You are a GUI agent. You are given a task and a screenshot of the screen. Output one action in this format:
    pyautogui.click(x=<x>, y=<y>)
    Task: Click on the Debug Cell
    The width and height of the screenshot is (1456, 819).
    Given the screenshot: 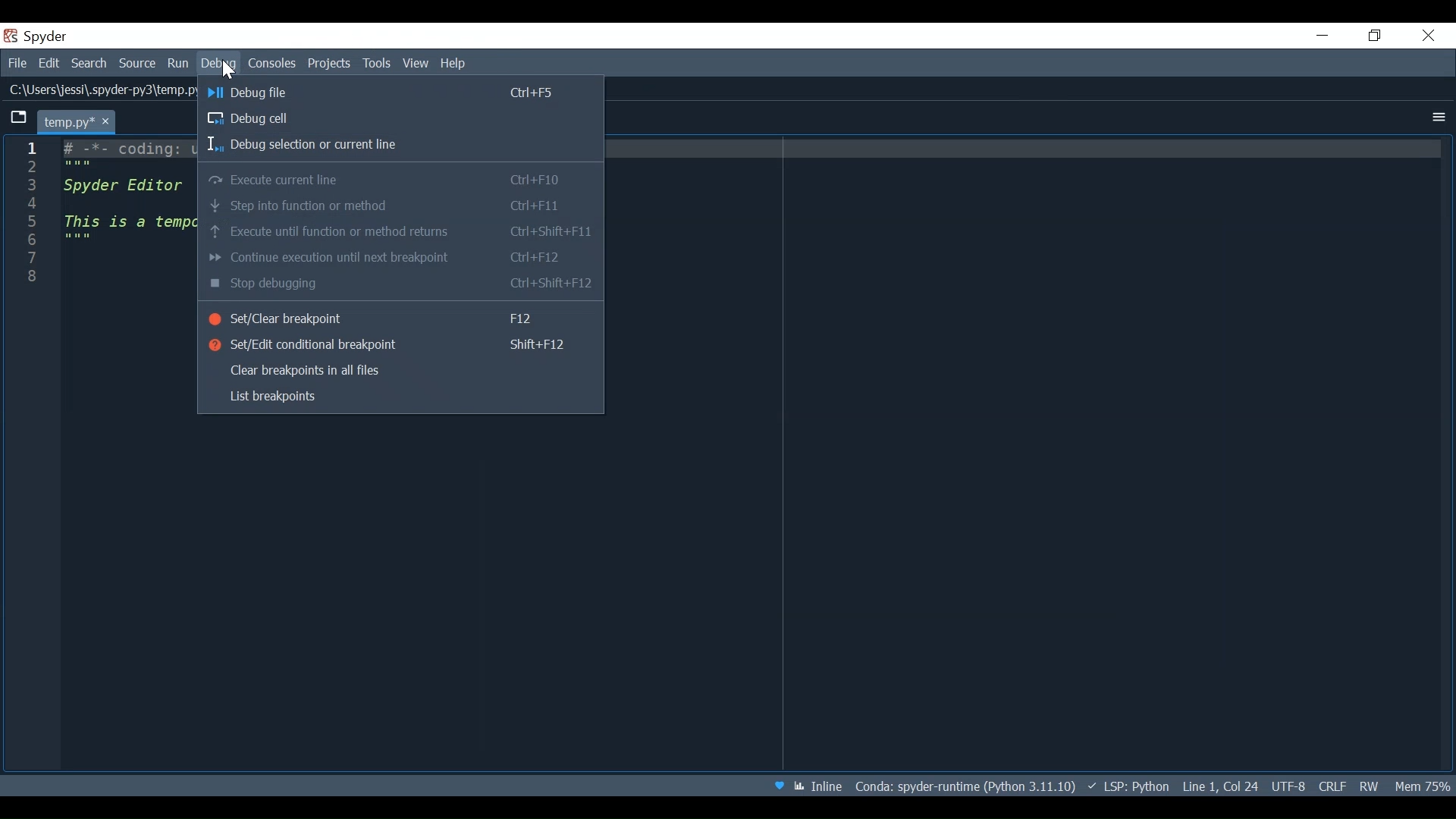 What is the action you would take?
    pyautogui.click(x=390, y=118)
    